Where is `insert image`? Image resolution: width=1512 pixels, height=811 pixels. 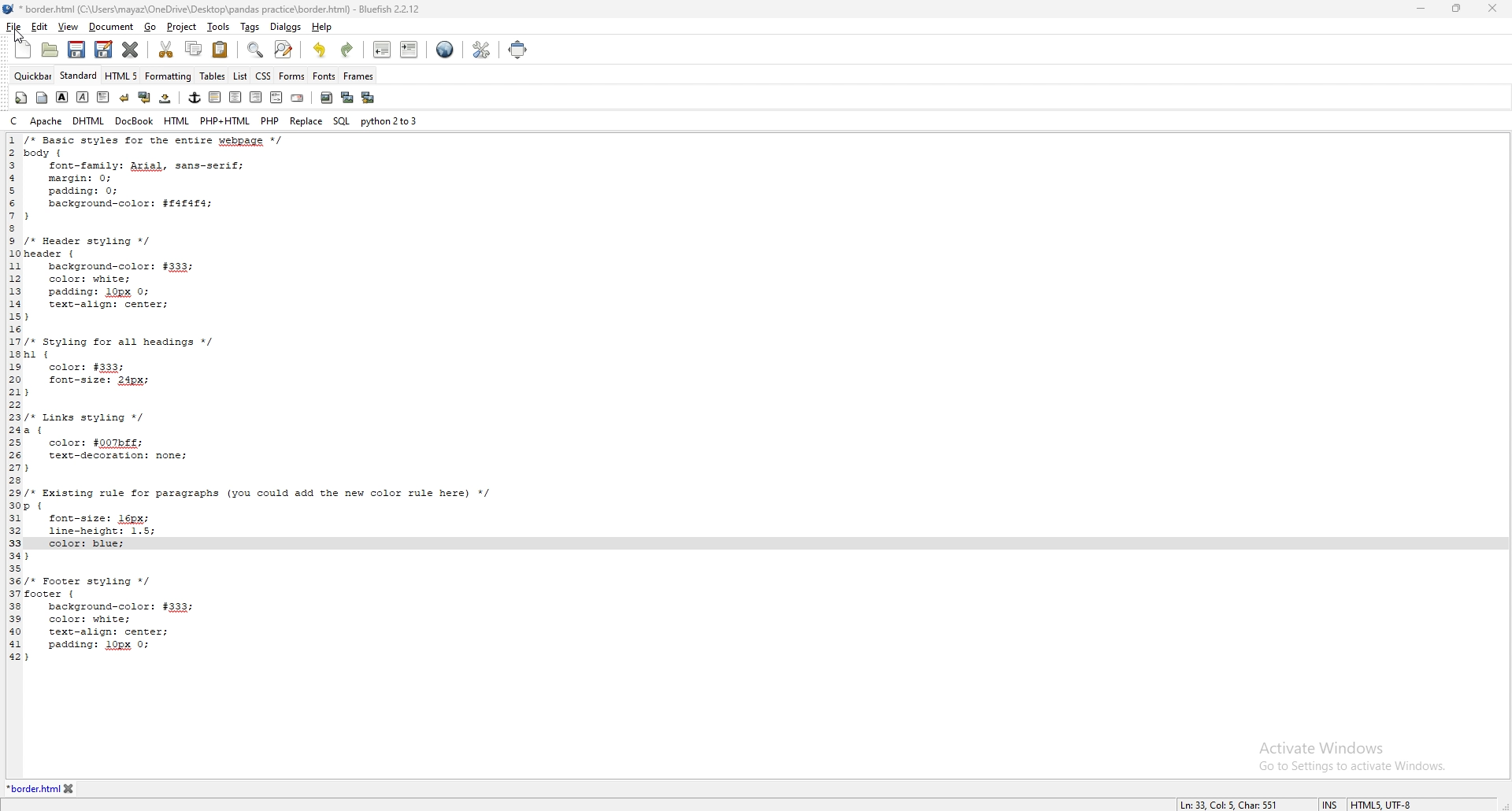 insert image is located at coordinates (327, 98).